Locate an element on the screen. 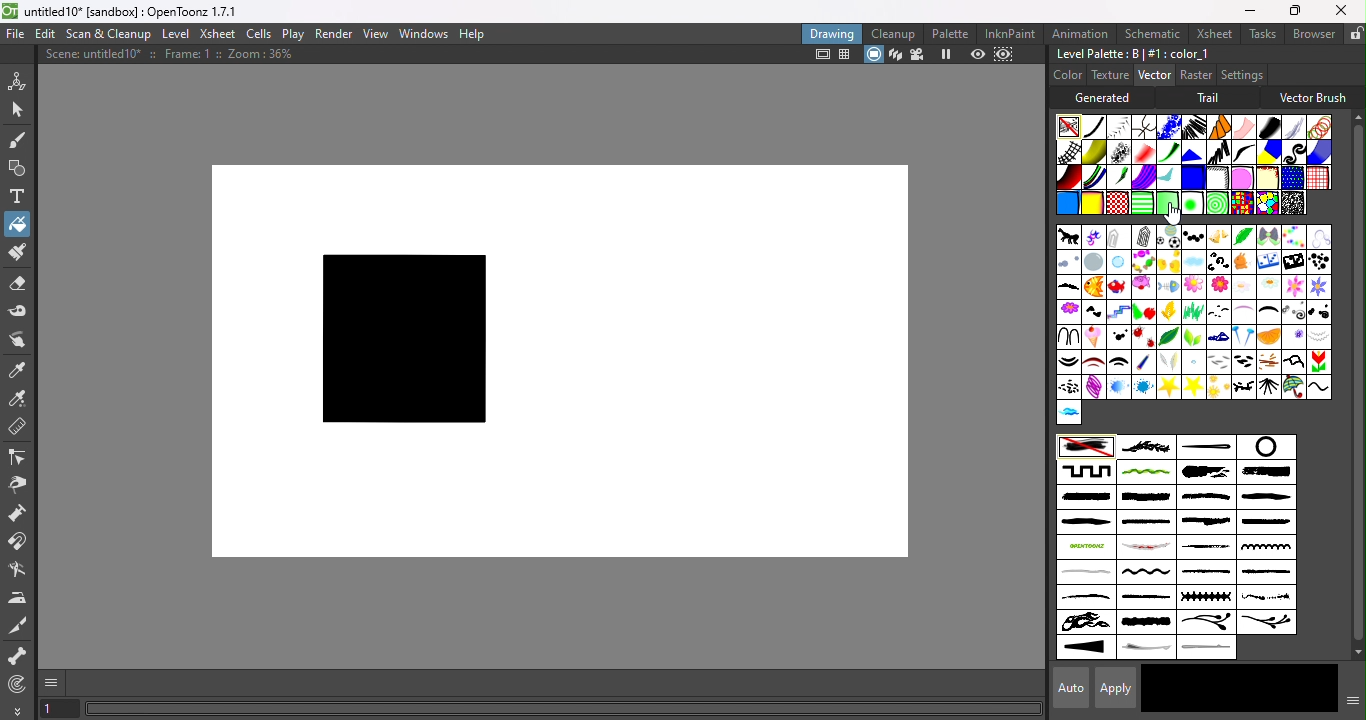  plum is located at coordinates (1173, 362).